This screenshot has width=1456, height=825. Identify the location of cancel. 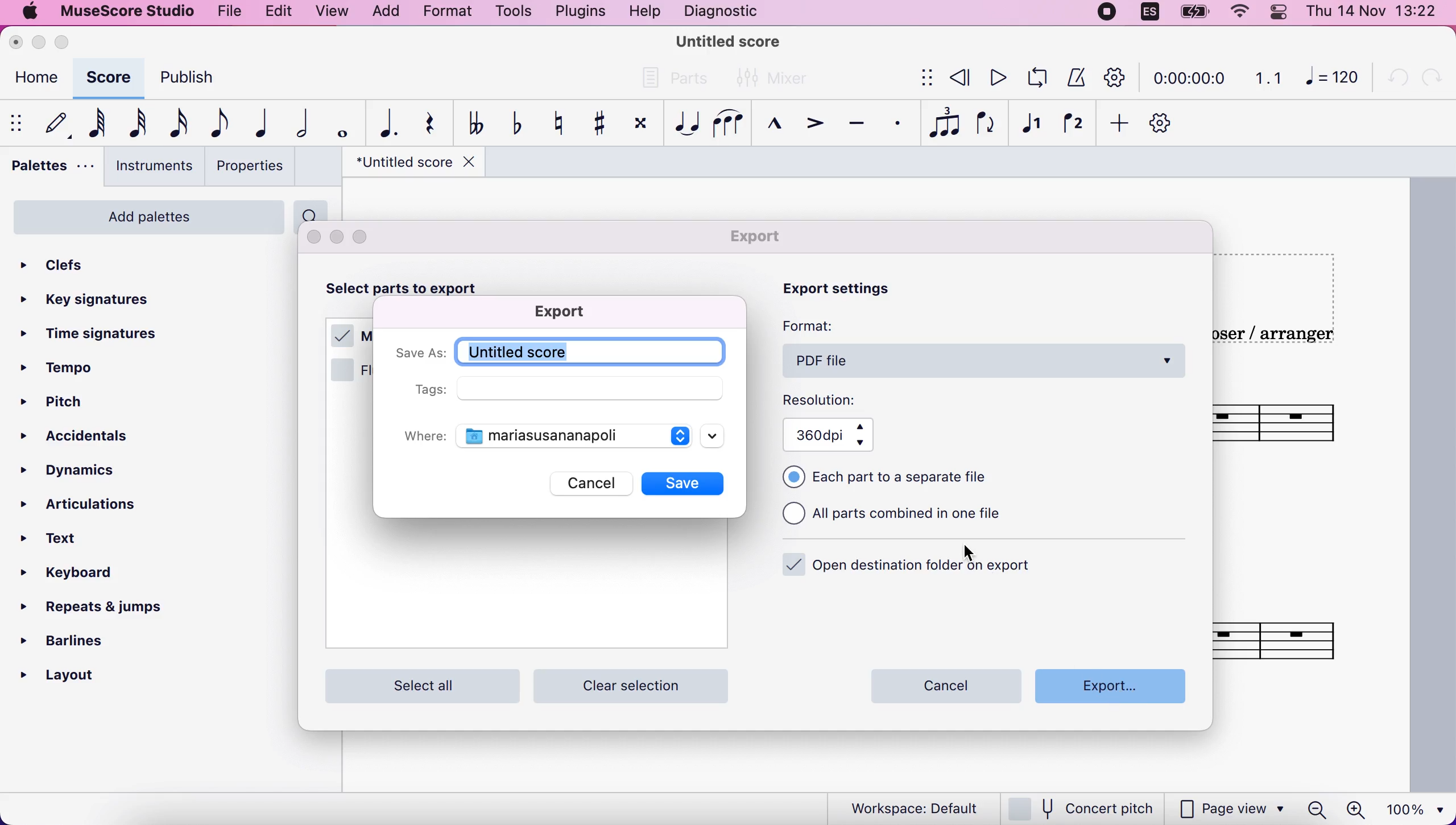
(948, 686).